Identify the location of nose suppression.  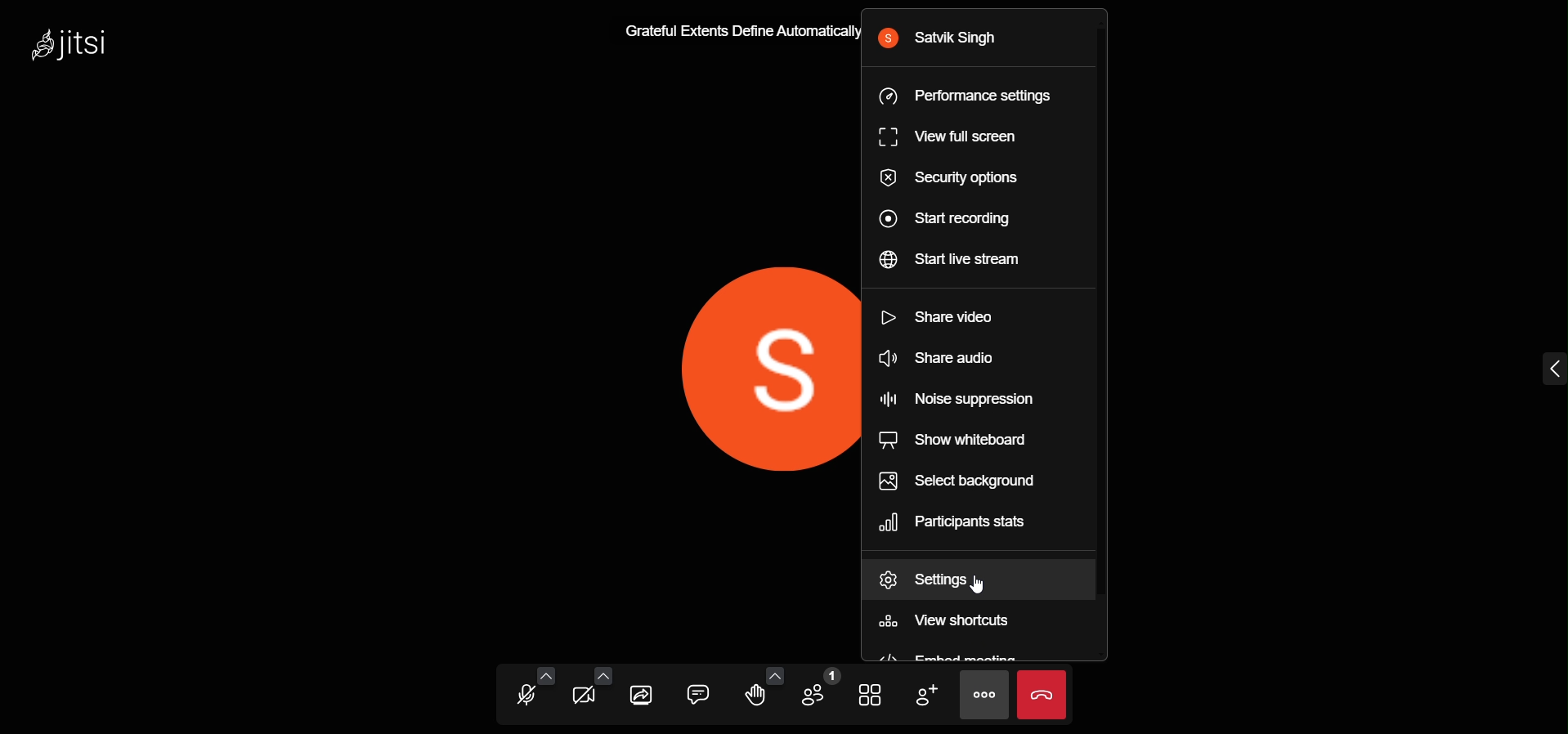
(958, 398).